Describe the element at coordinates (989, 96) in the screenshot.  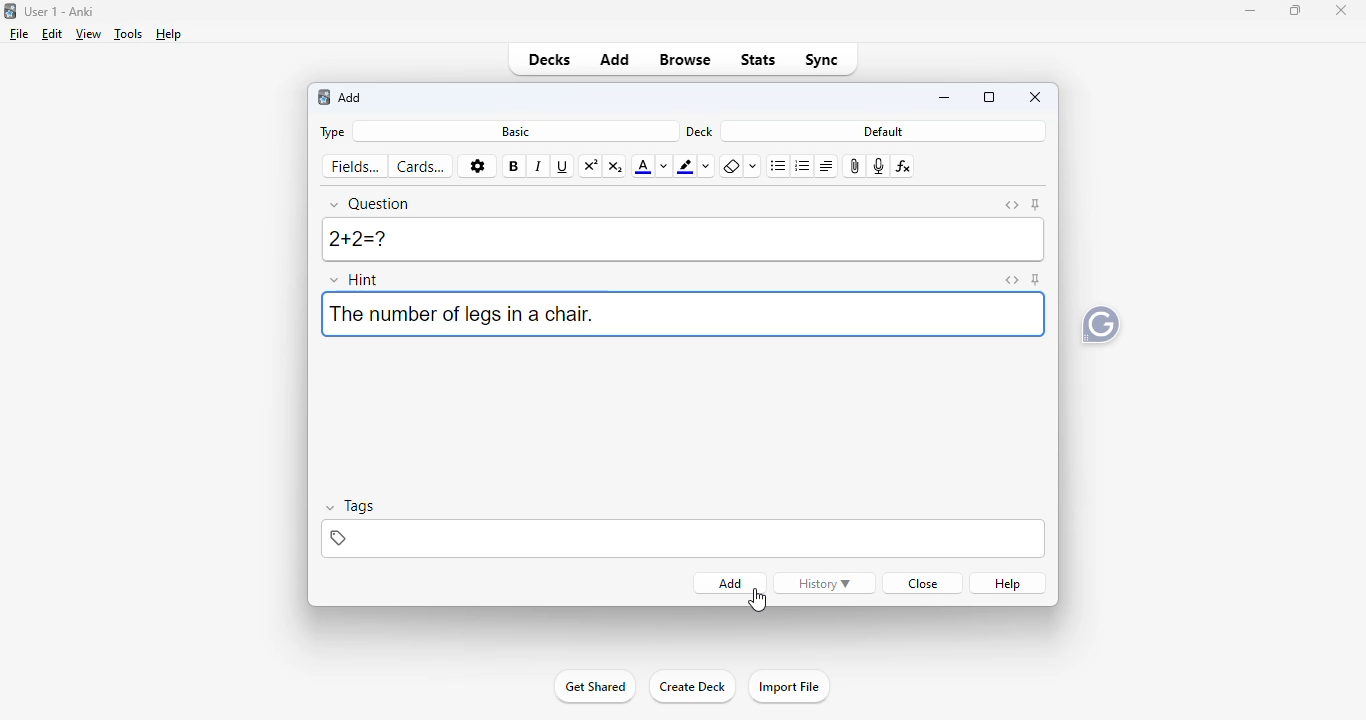
I see `maximize` at that location.